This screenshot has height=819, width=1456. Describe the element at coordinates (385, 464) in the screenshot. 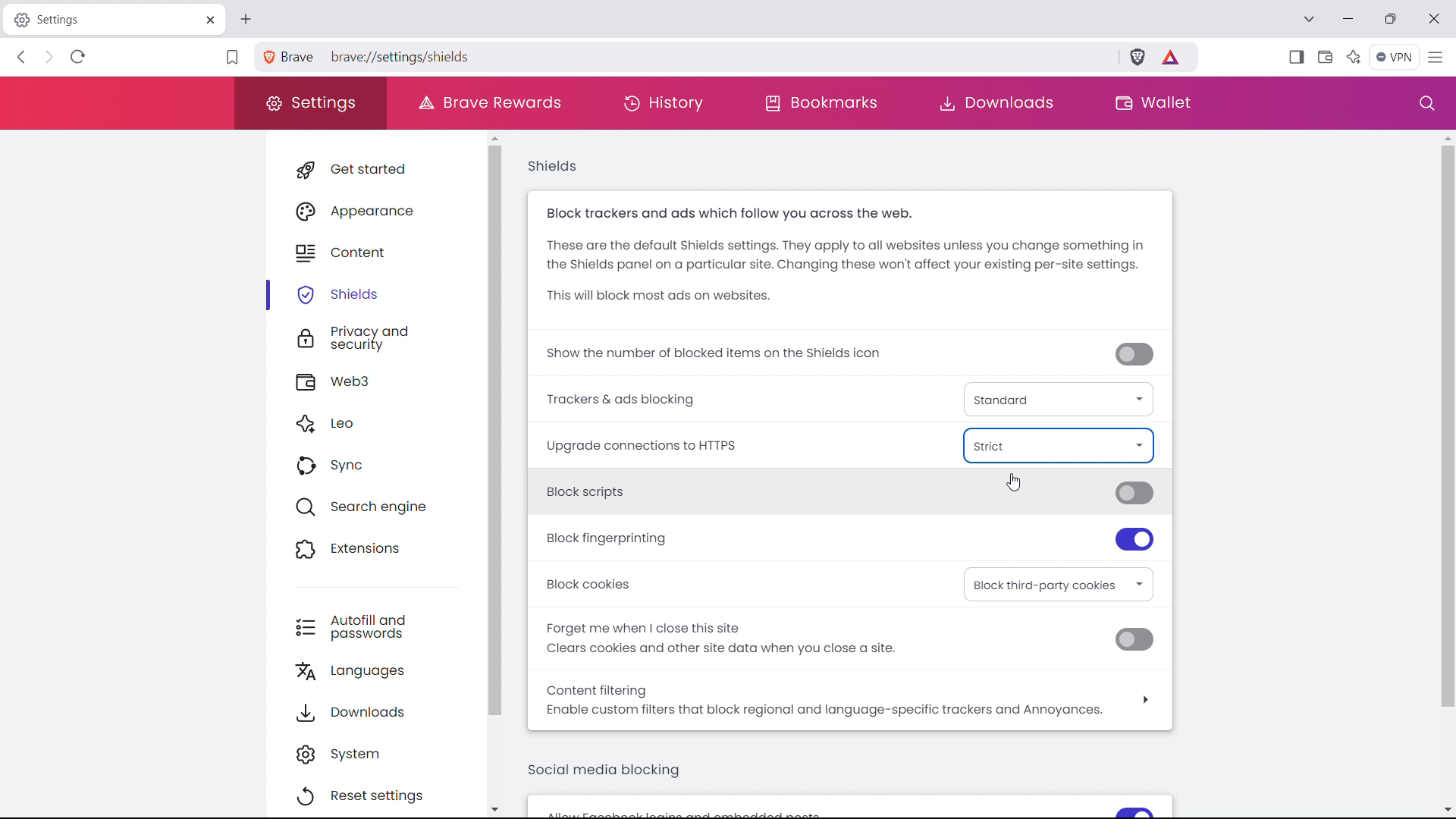

I see `sync` at that location.